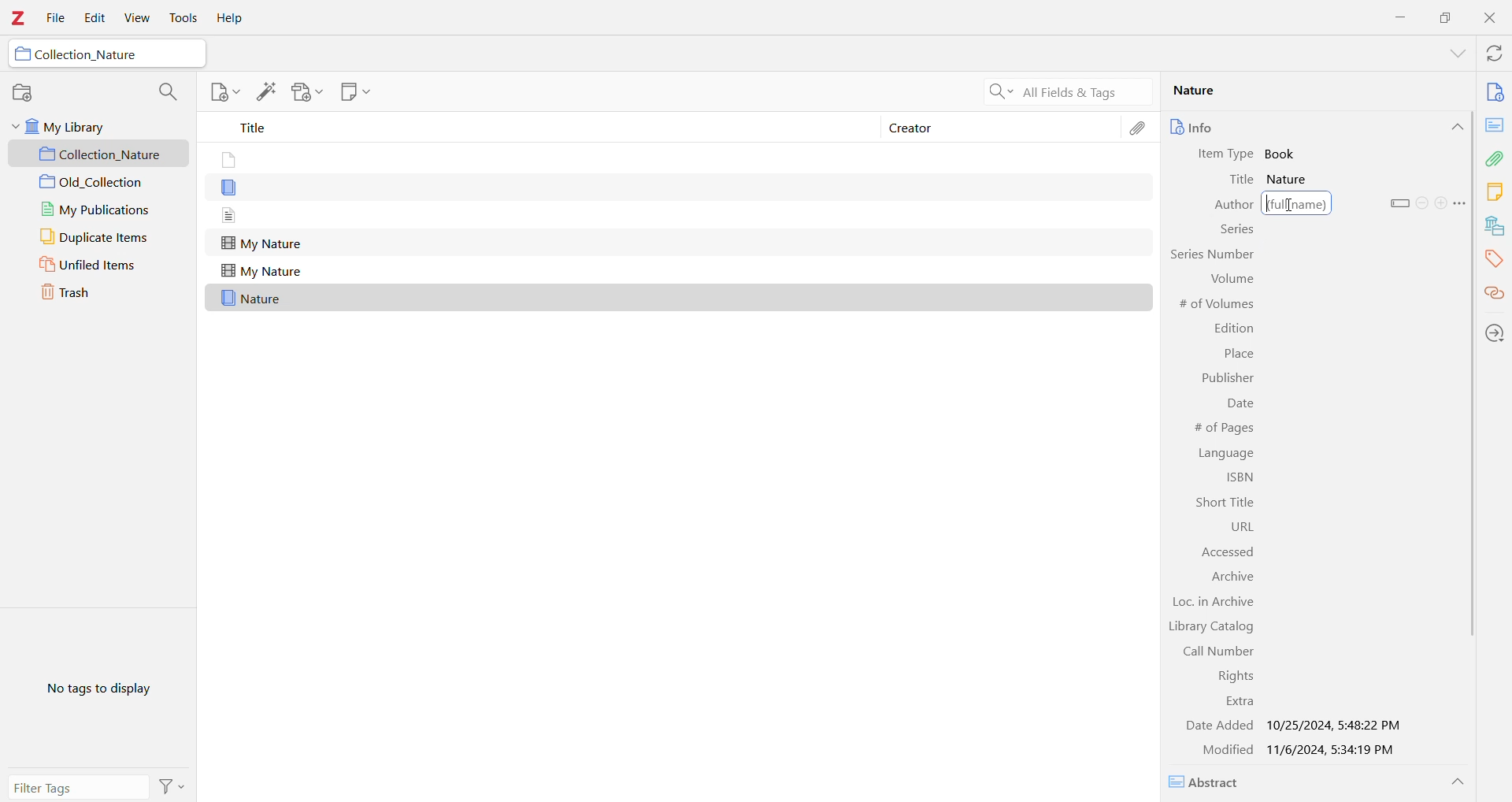  What do you see at coordinates (1398, 17) in the screenshot?
I see `Minimize` at bounding box center [1398, 17].